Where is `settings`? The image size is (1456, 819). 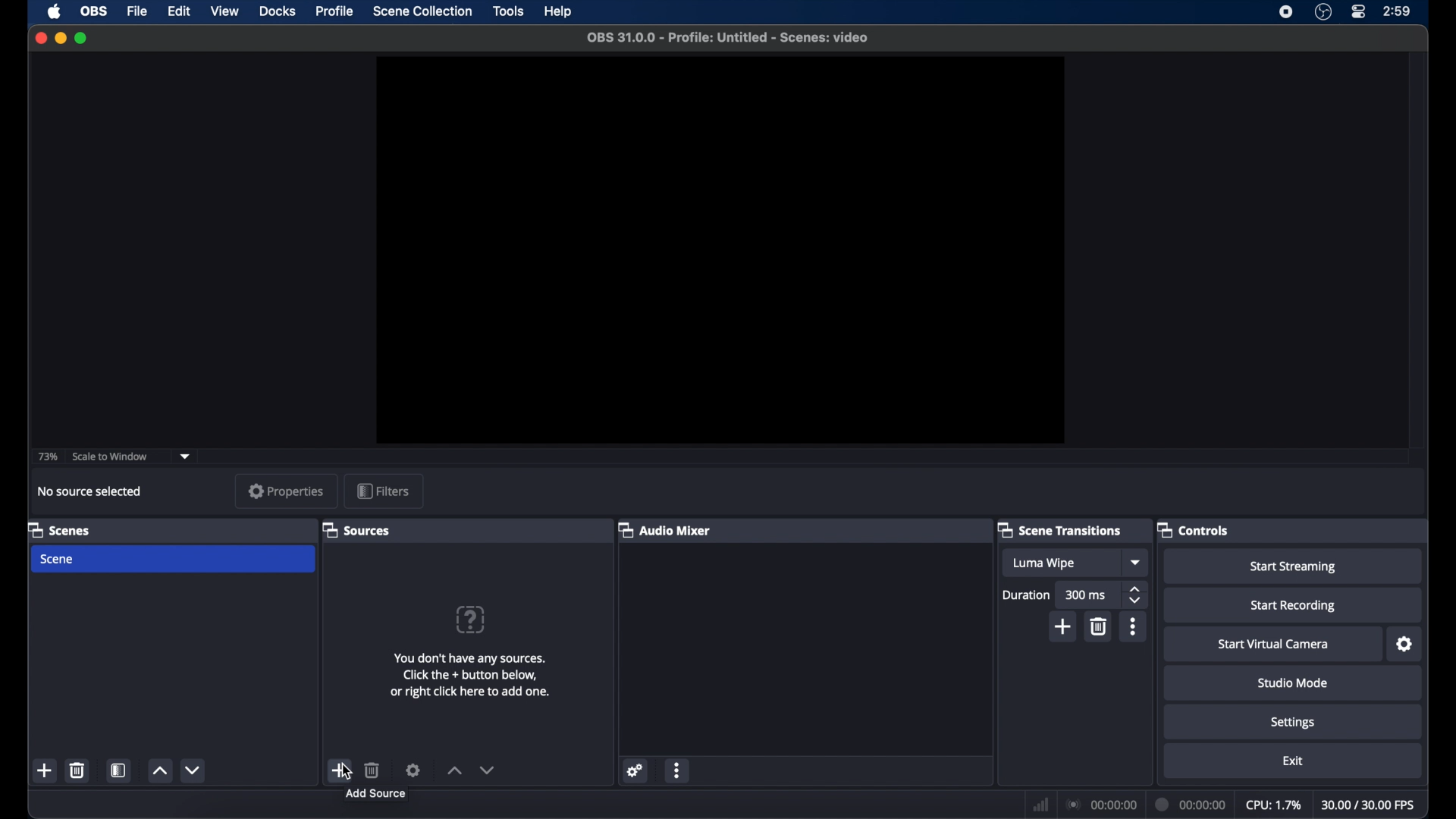
settings is located at coordinates (635, 771).